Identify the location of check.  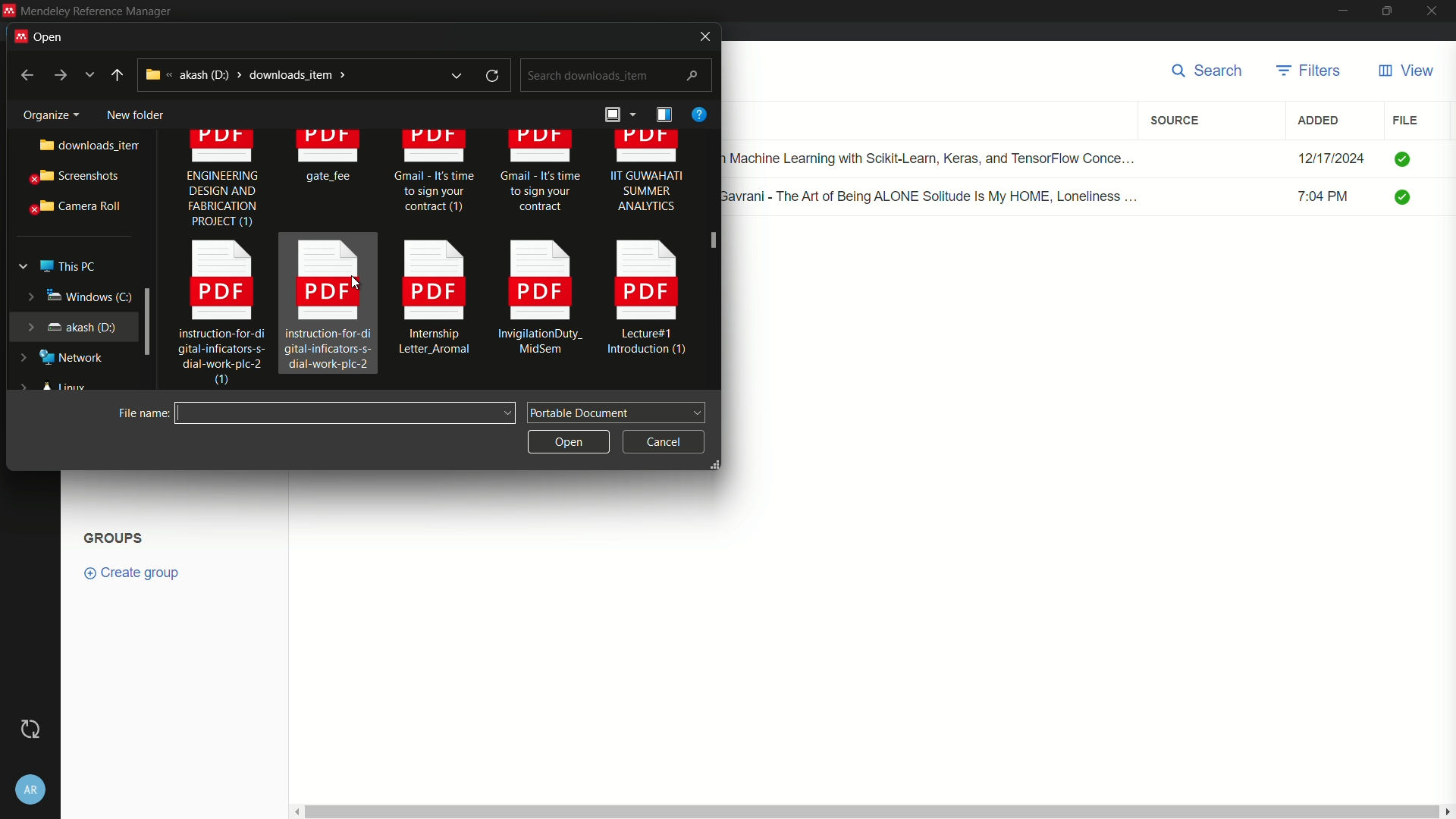
(1404, 158).